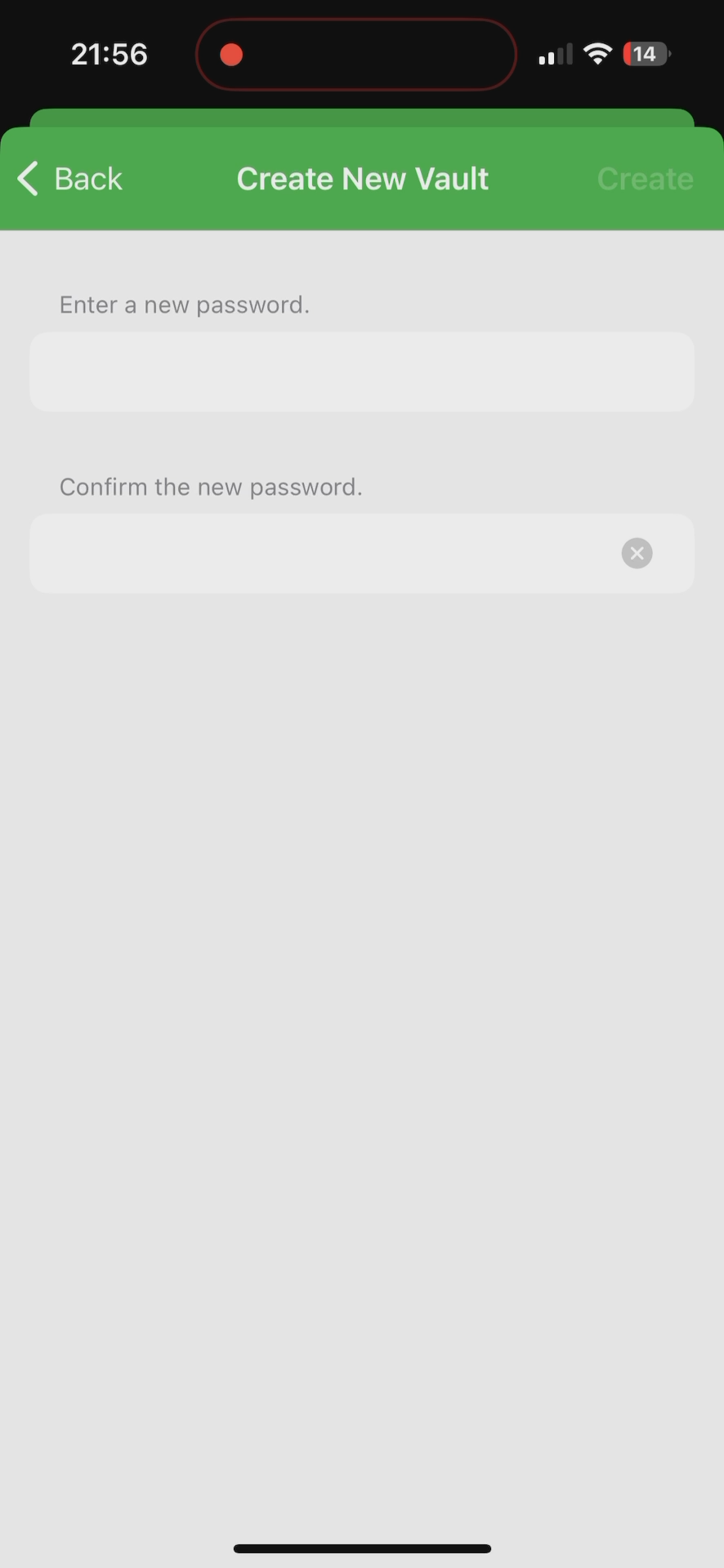 The image size is (724, 1568). I want to click on confirm the new password, so click(216, 485).